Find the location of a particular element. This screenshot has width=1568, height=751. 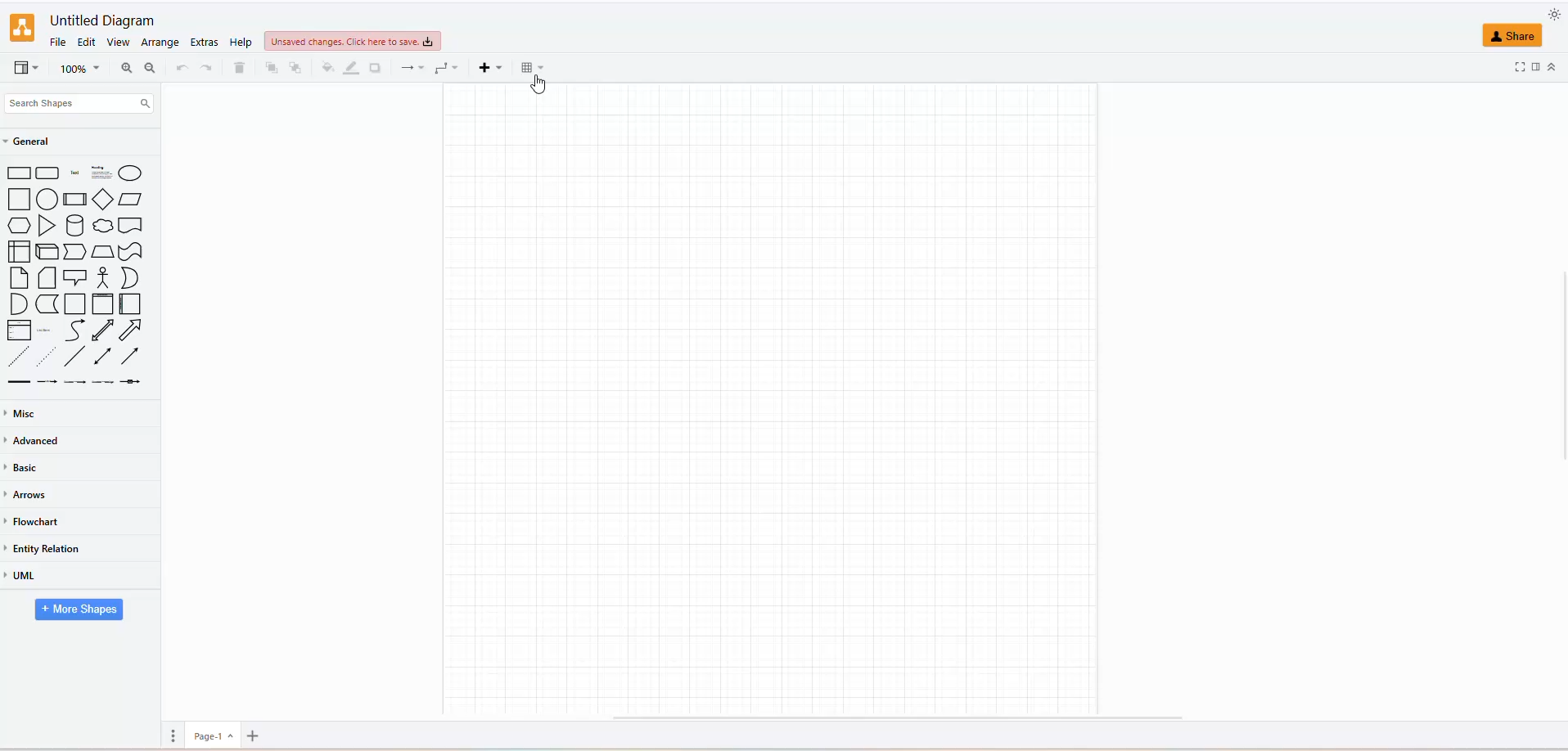

magnification is located at coordinates (76, 67).